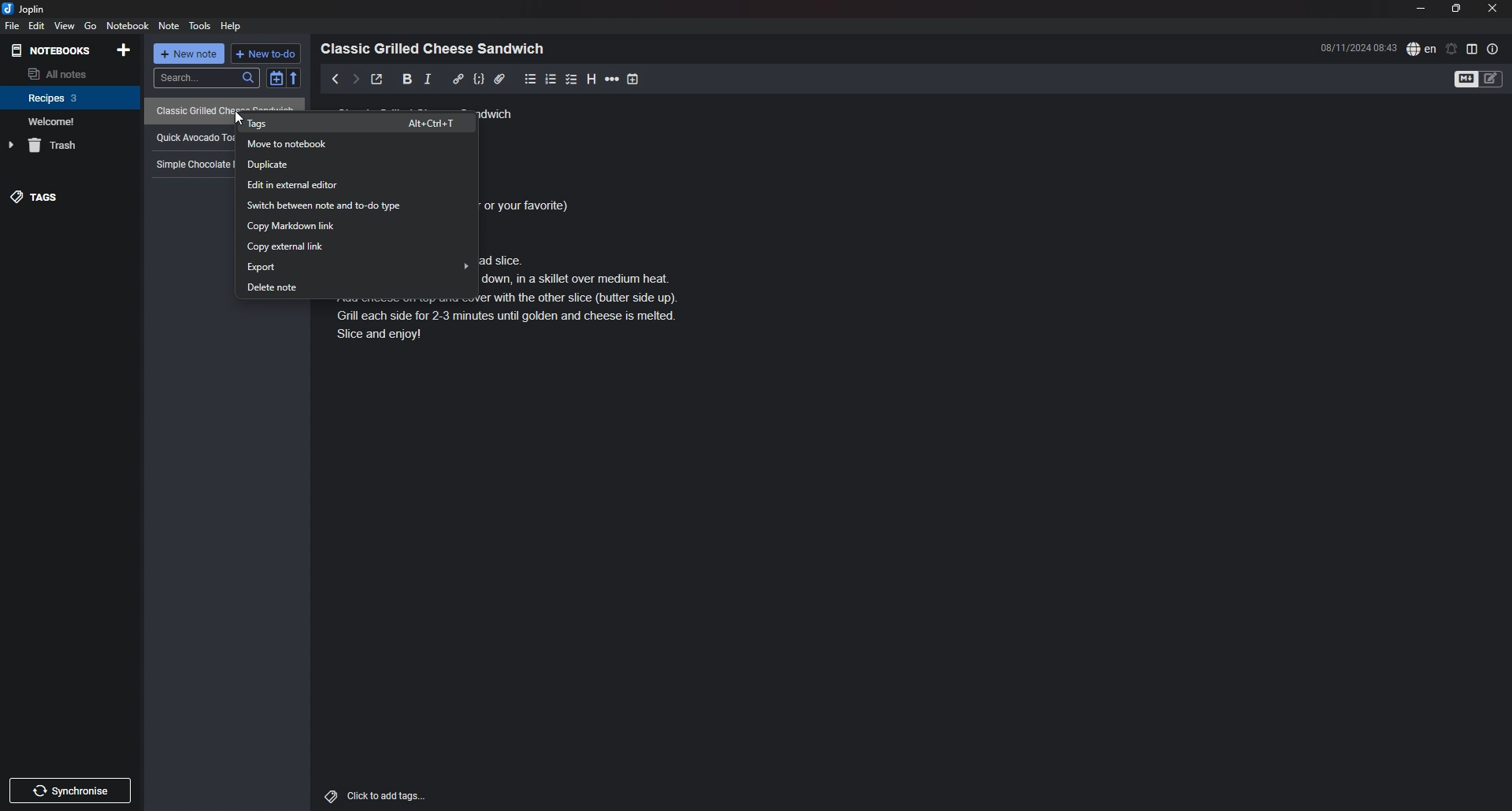 The height and width of the screenshot is (811, 1512). Describe the element at coordinates (635, 79) in the screenshot. I see `add time` at that location.